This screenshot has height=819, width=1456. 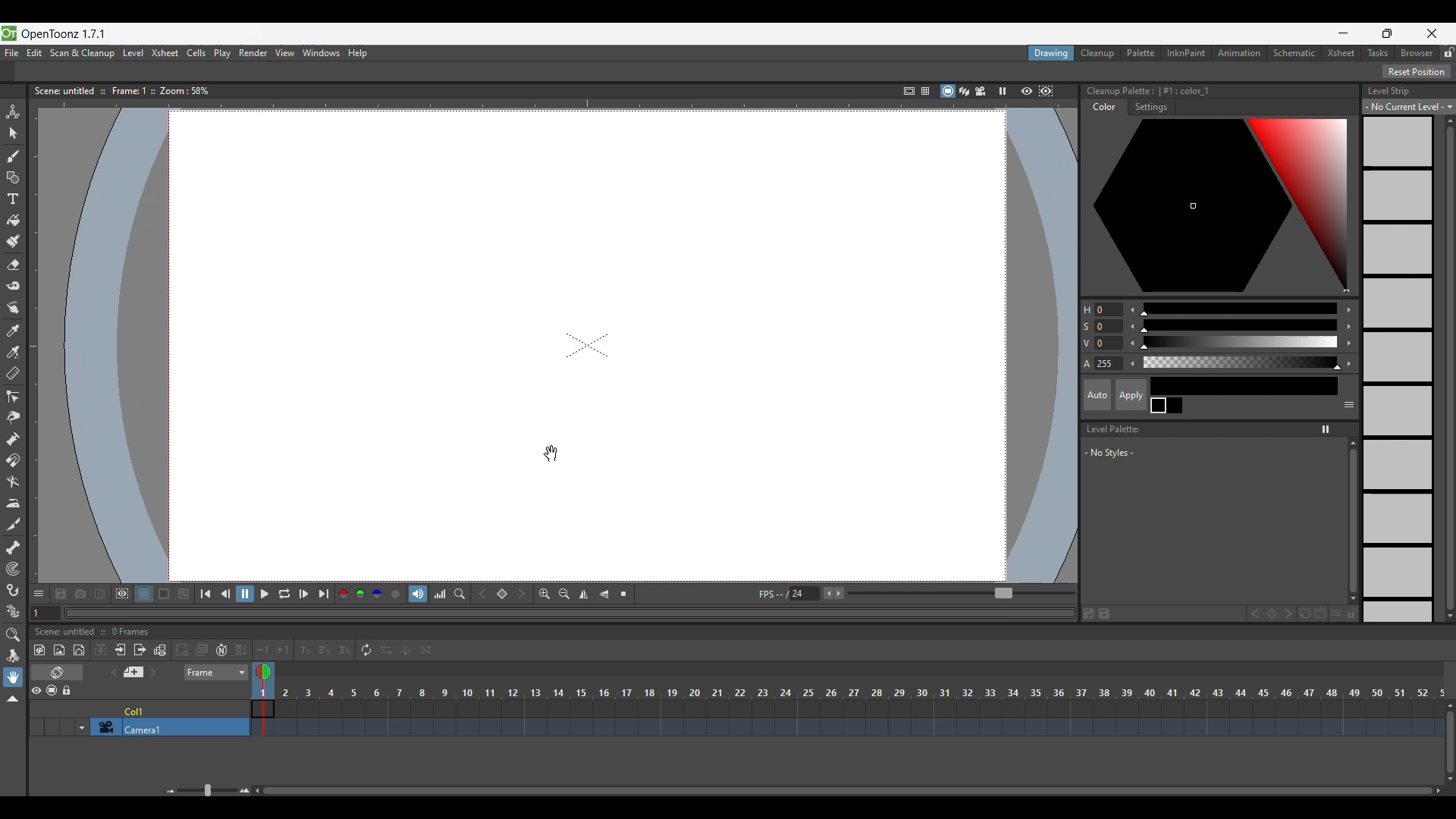 I want to click on Auto, so click(x=1097, y=395).